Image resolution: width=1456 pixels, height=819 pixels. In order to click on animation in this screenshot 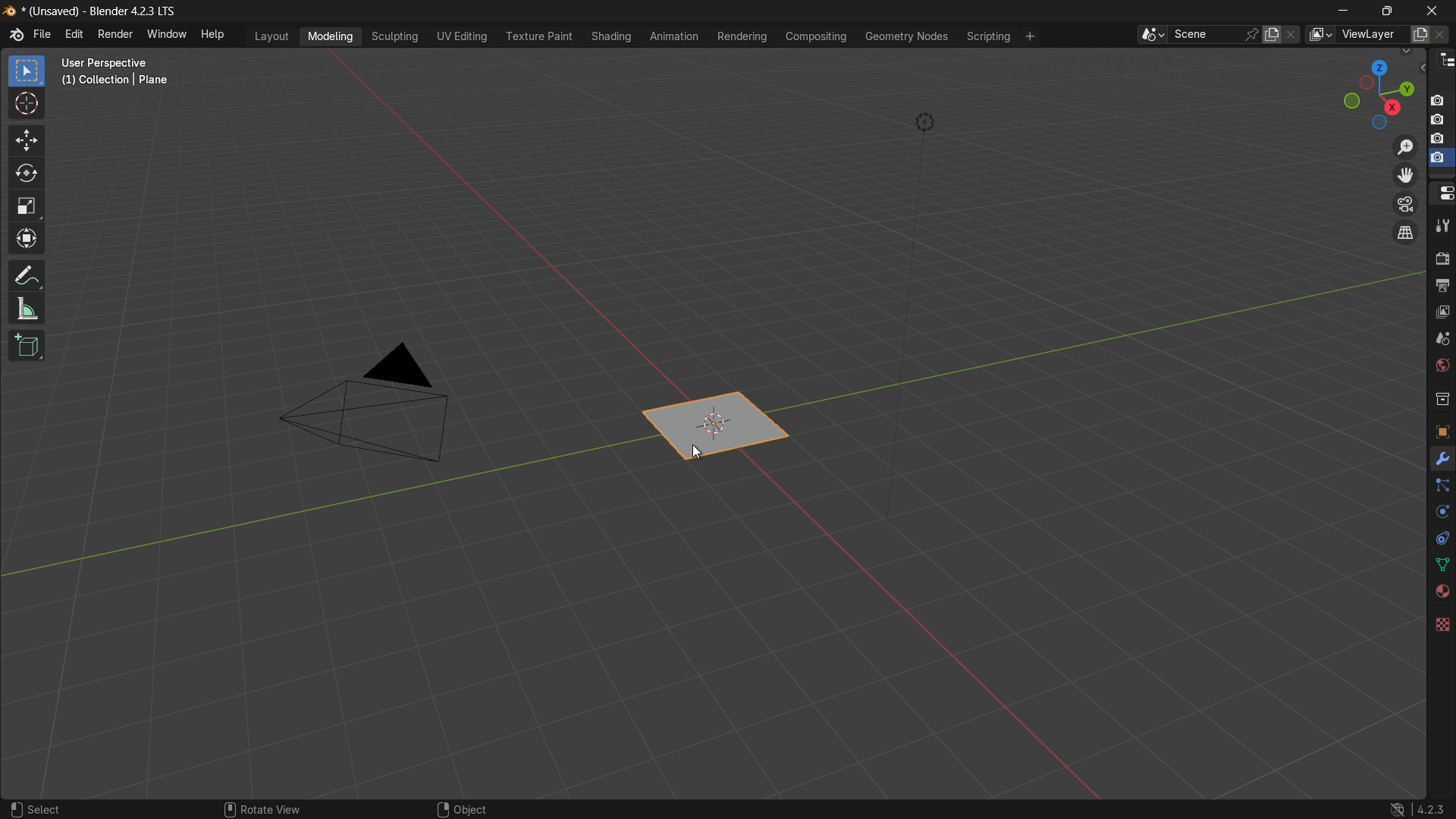, I will do `click(676, 36)`.